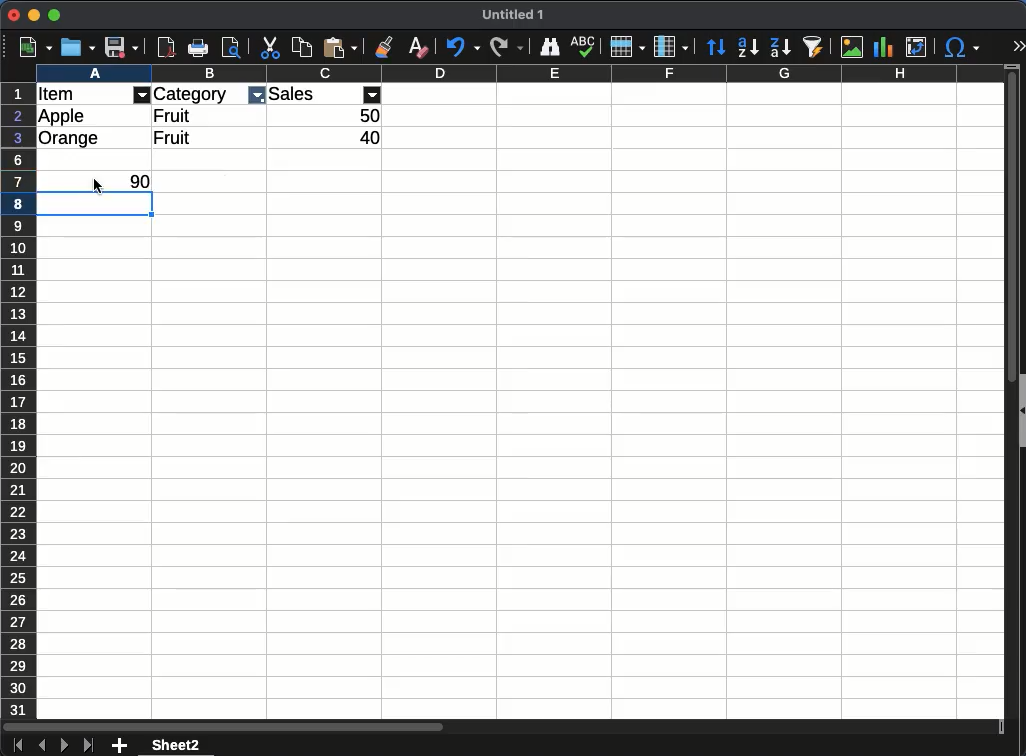 This screenshot has height=756, width=1026. What do you see at coordinates (625, 49) in the screenshot?
I see `row` at bounding box center [625, 49].